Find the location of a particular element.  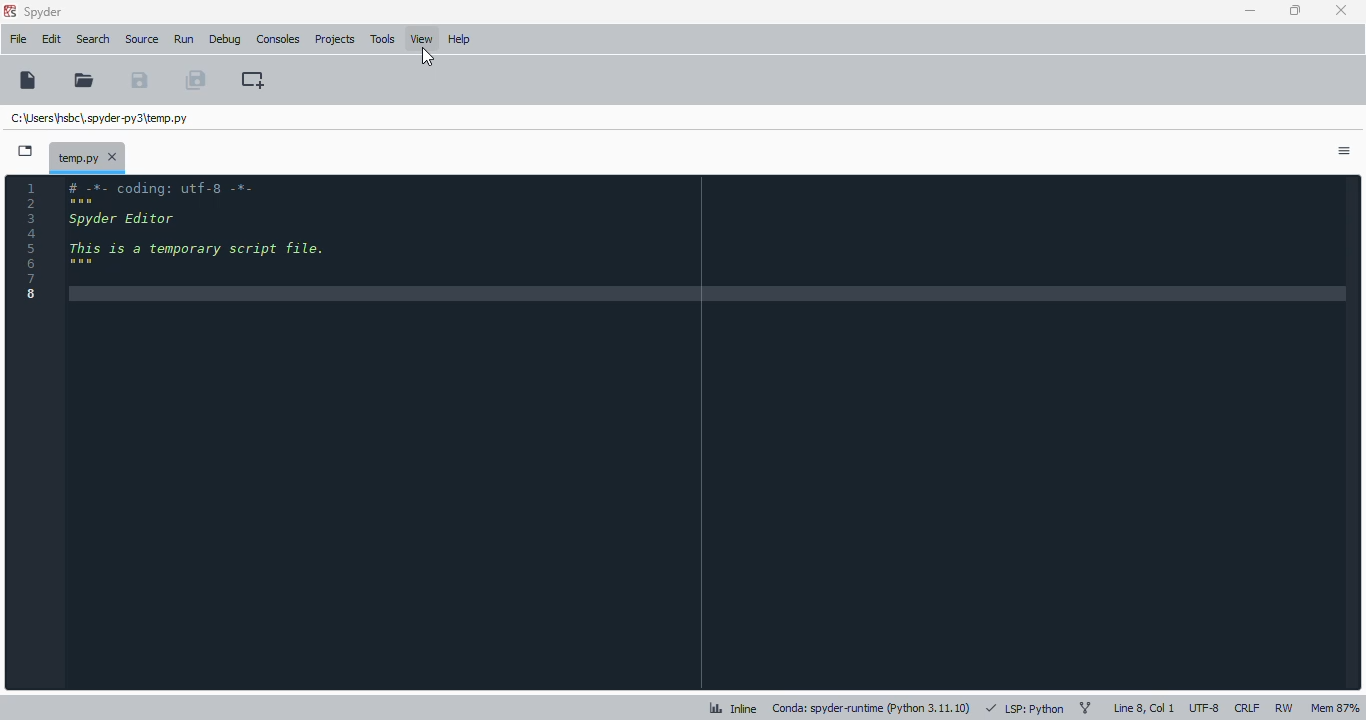

file is located at coordinates (18, 39).